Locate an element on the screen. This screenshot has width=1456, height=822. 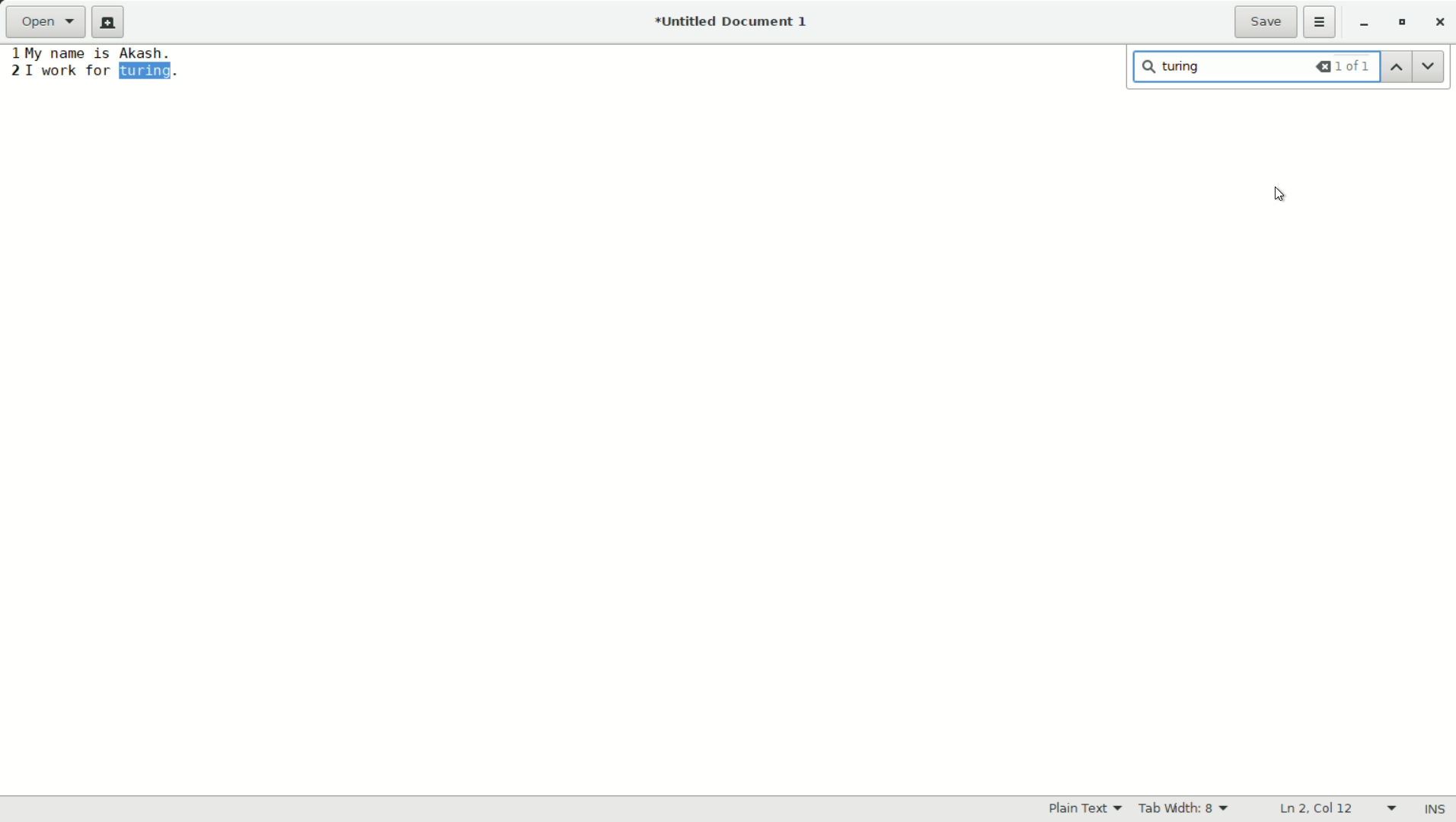
. is located at coordinates (180, 75).